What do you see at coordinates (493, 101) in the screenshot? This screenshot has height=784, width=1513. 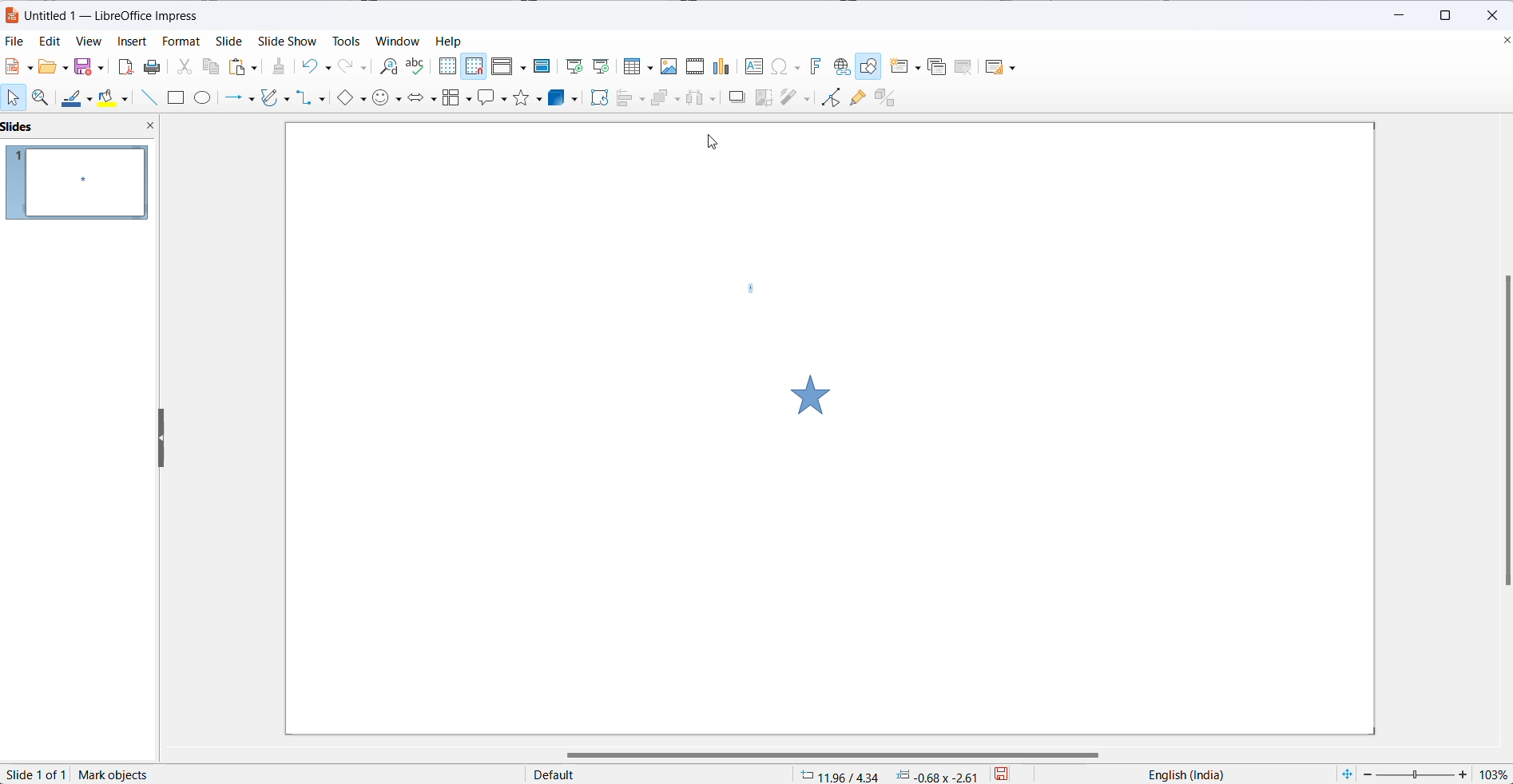 I see `callout shapes` at bounding box center [493, 101].